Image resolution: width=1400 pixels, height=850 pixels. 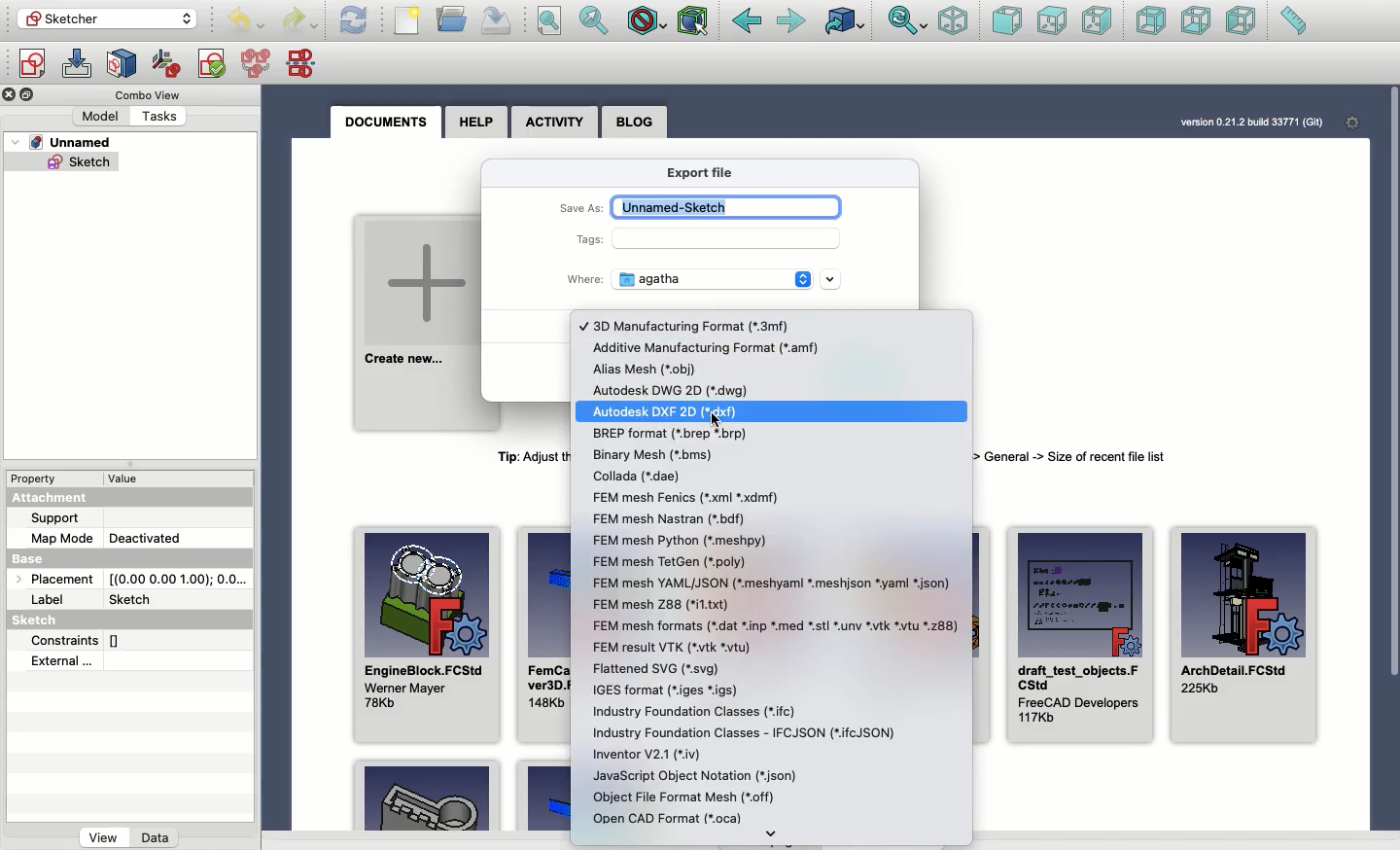 What do you see at coordinates (726, 207) in the screenshot?
I see `Unnamed-sketch` at bounding box center [726, 207].